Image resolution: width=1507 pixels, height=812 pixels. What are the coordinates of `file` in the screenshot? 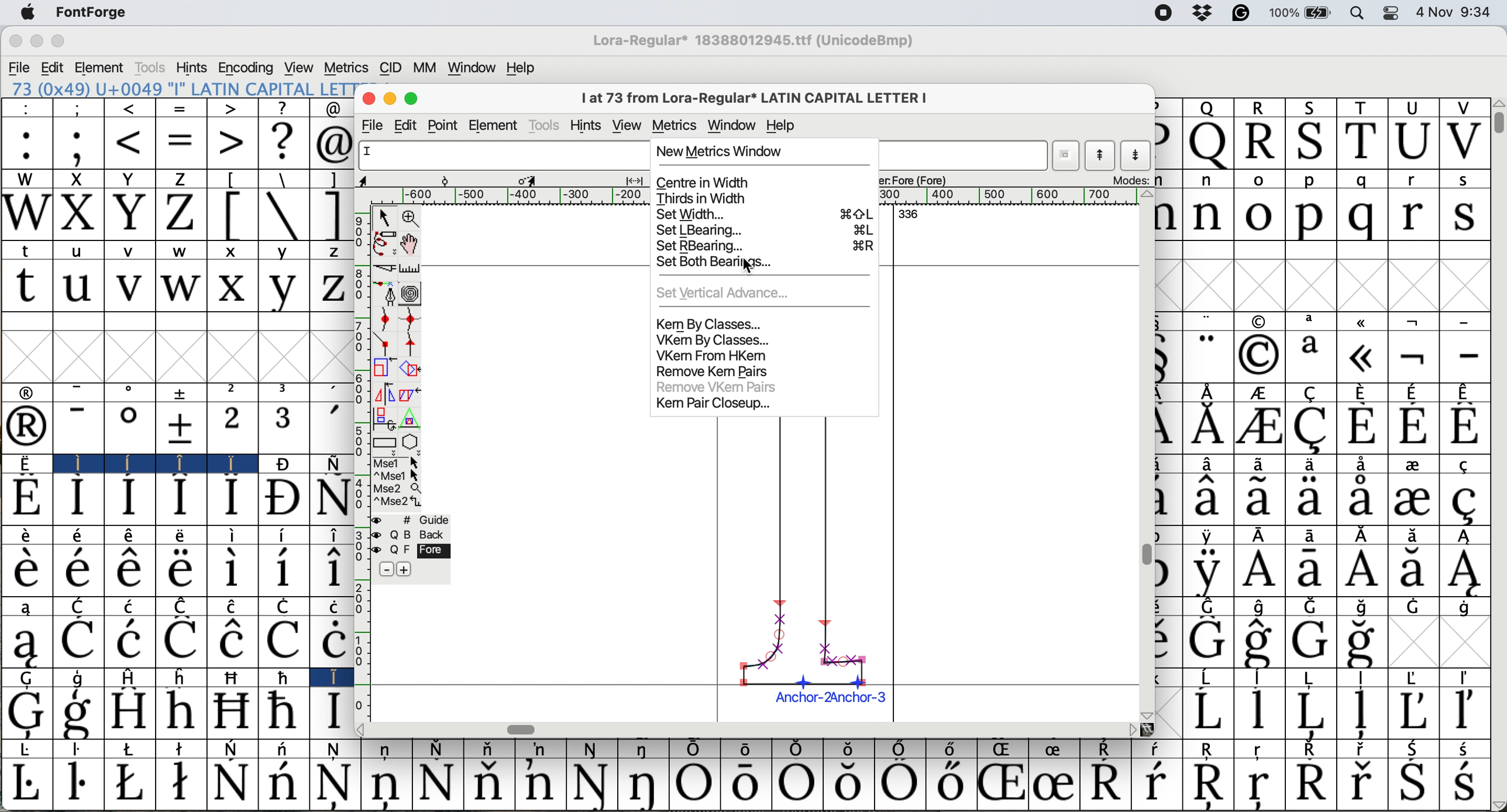 It's located at (375, 125).